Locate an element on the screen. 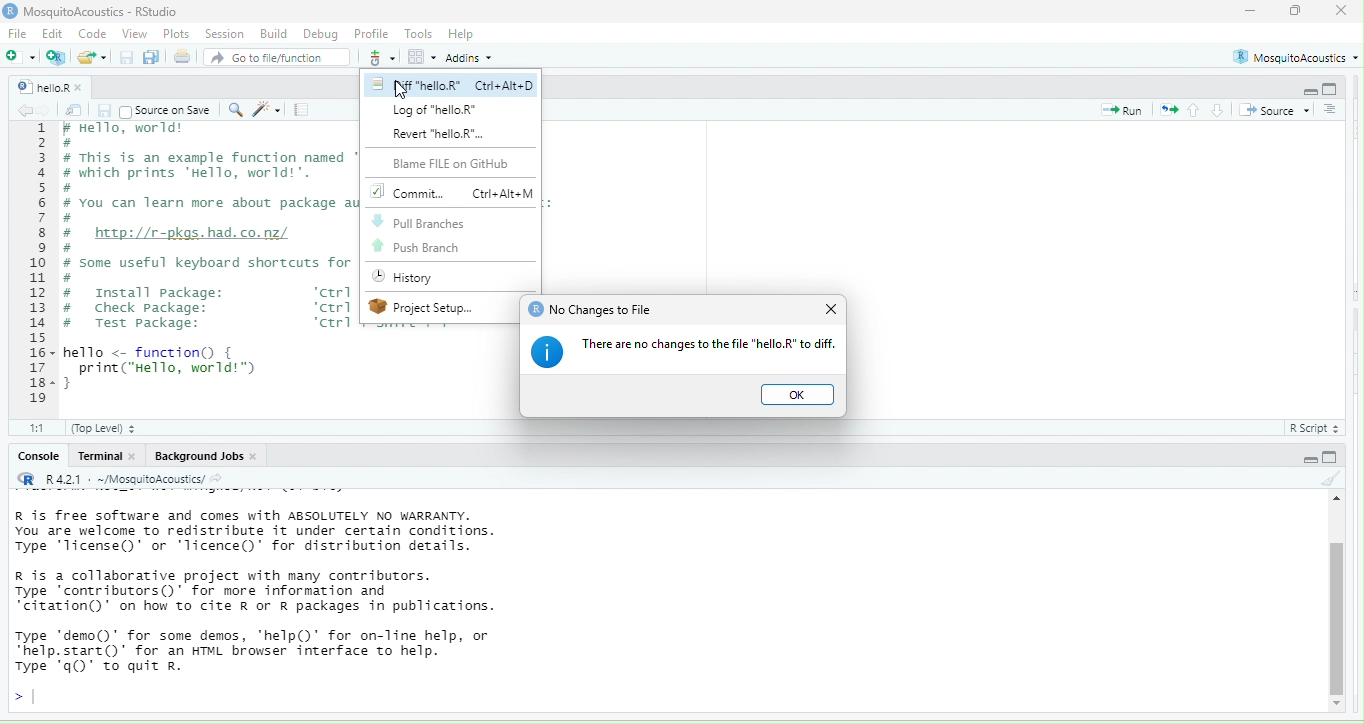 The width and height of the screenshot is (1364, 724).  History is located at coordinates (411, 278).